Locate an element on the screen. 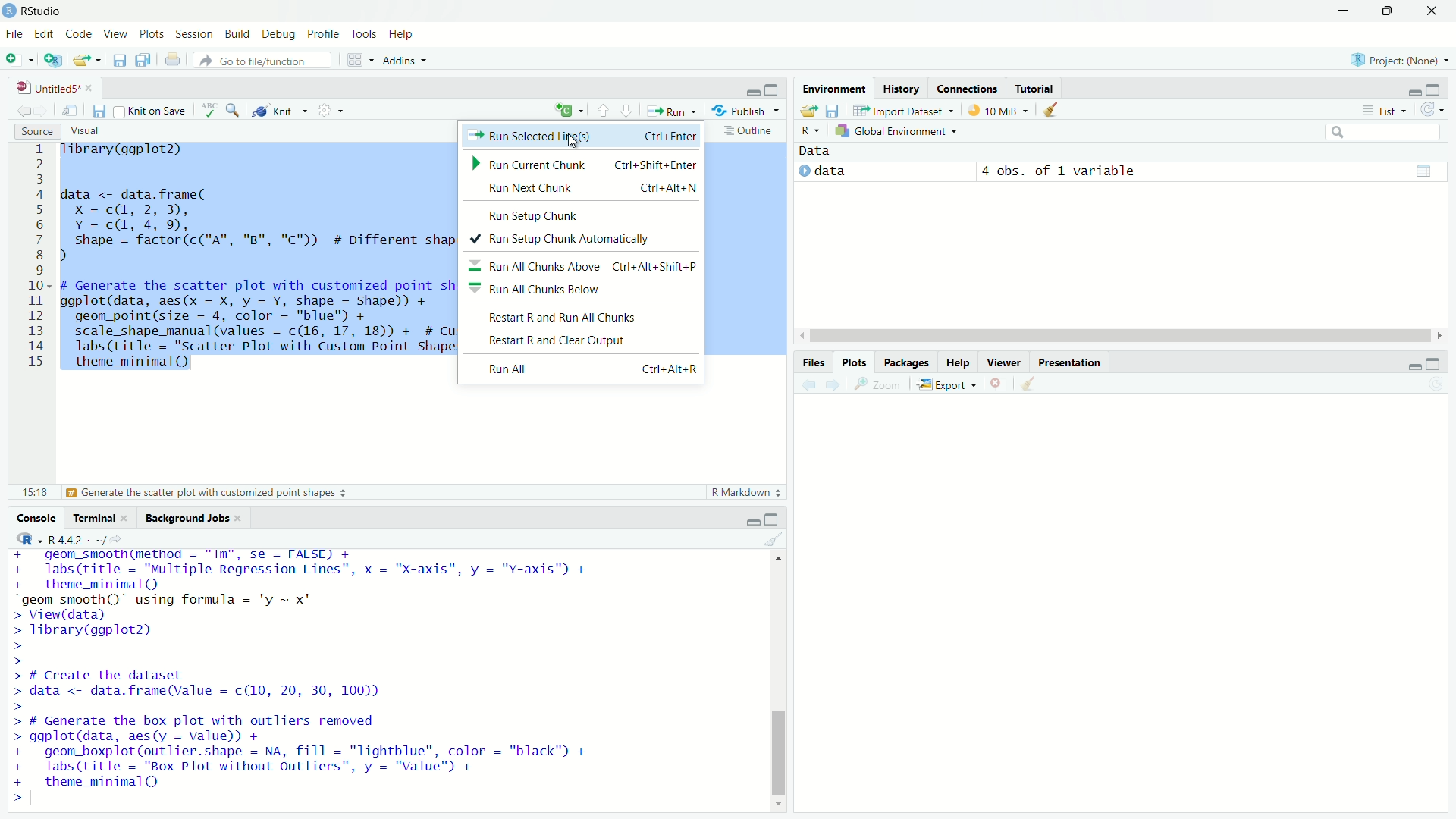 The width and height of the screenshot is (1456, 819). Save workspace as is located at coordinates (832, 111).